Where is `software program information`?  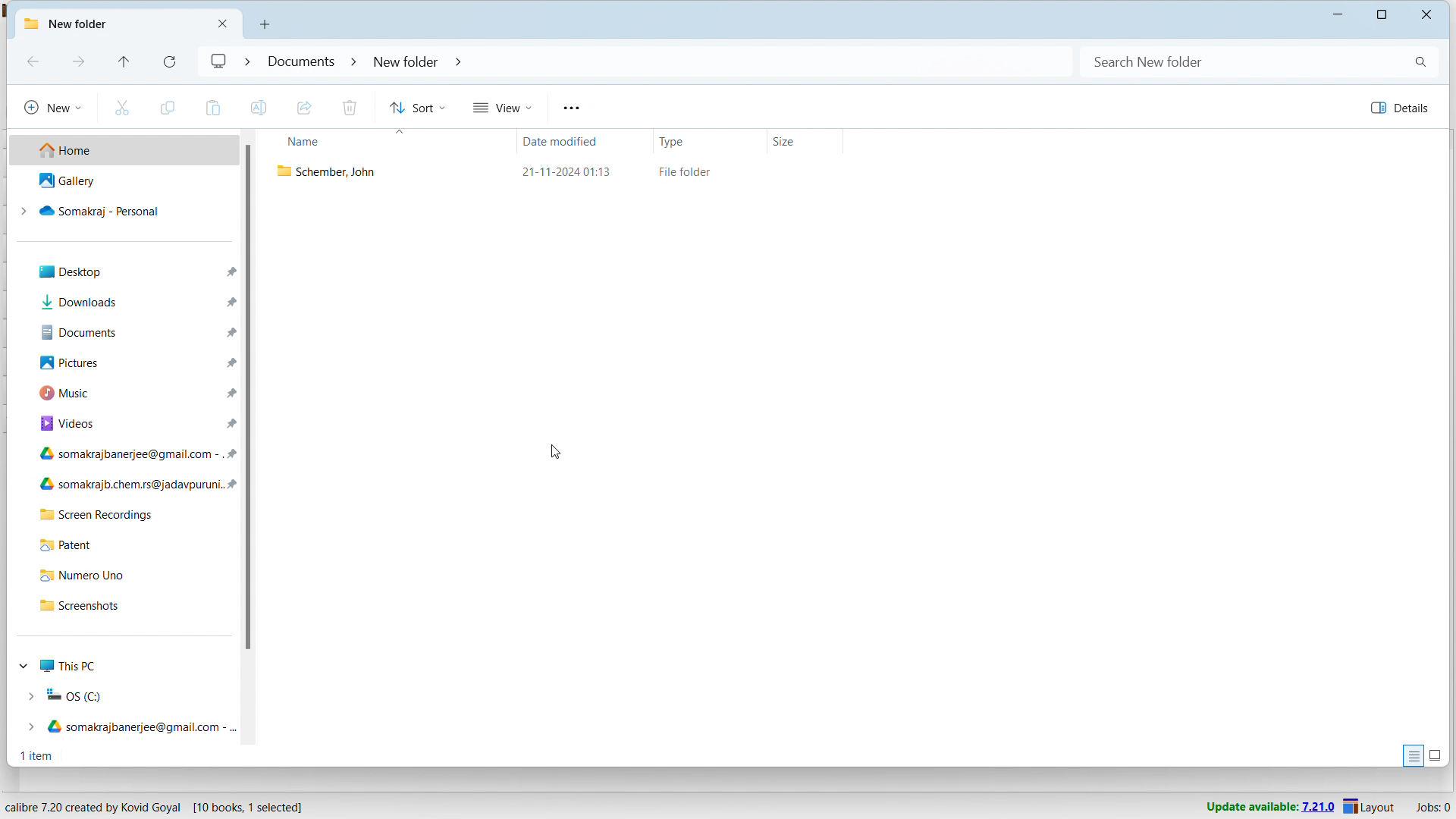 software program information is located at coordinates (162, 808).